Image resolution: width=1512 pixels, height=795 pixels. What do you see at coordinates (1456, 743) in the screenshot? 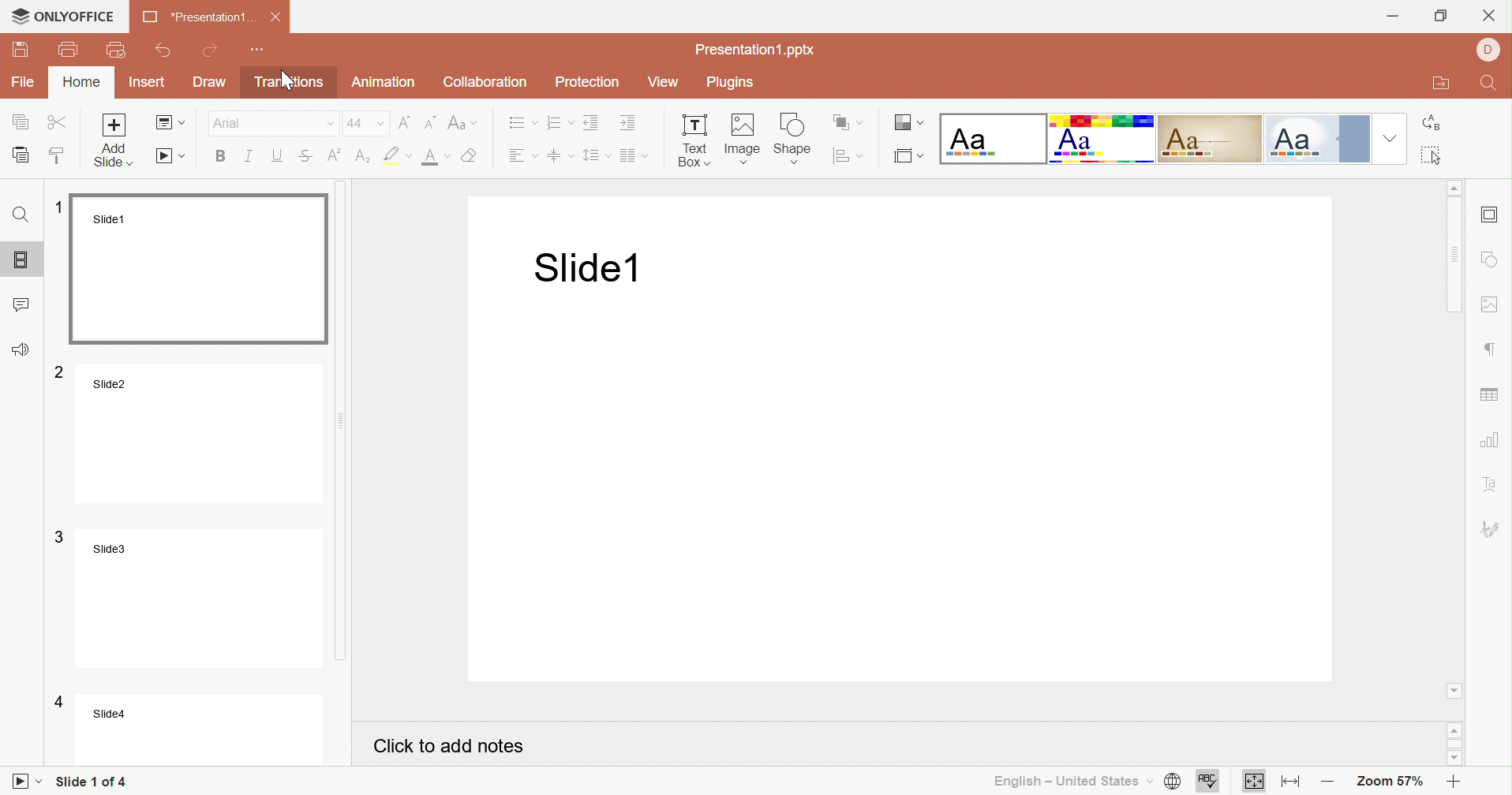
I see `Scroll bar` at bounding box center [1456, 743].